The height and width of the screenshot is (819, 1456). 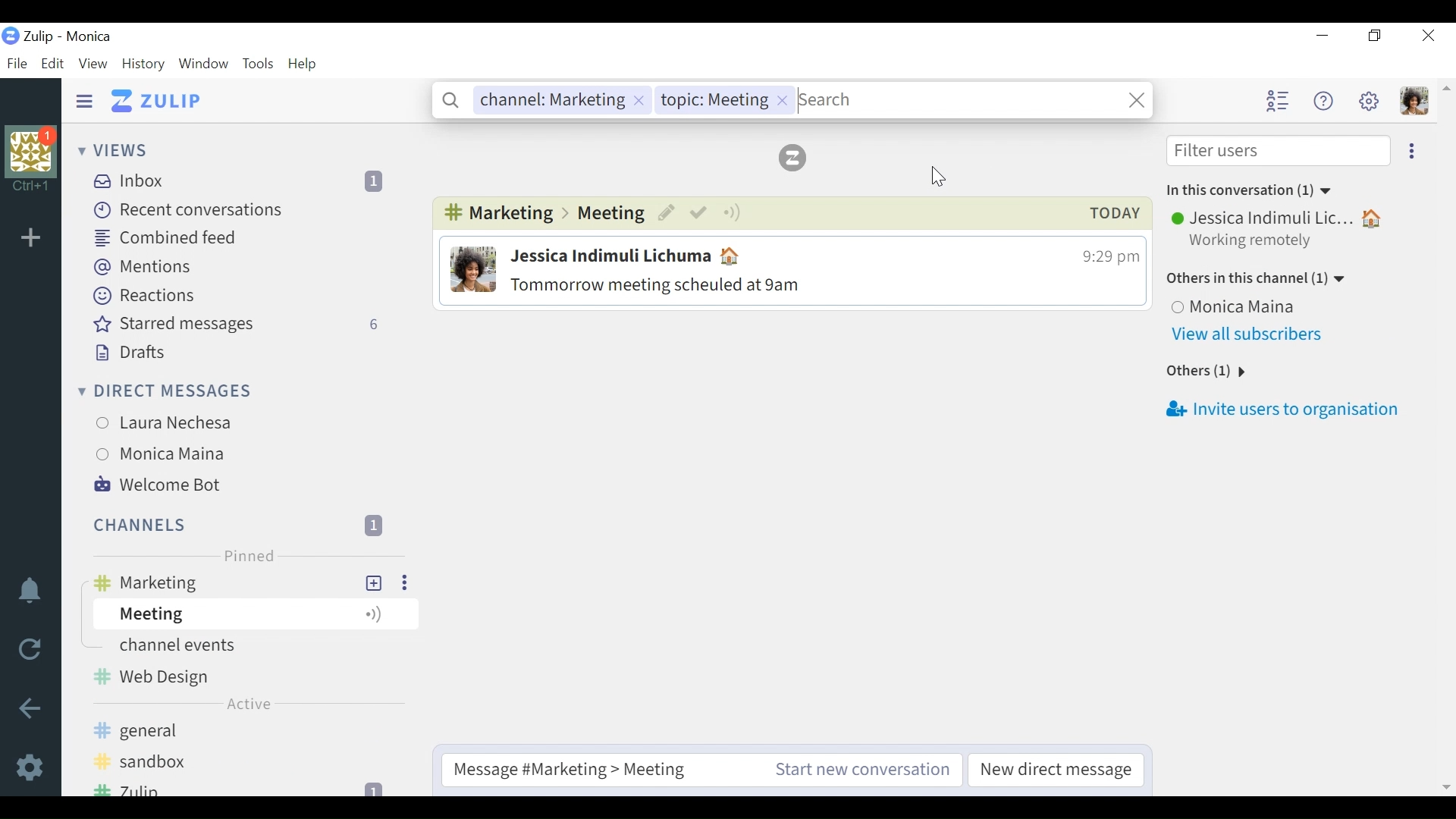 What do you see at coordinates (1059, 770) in the screenshot?
I see `New direct message` at bounding box center [1059, 770].